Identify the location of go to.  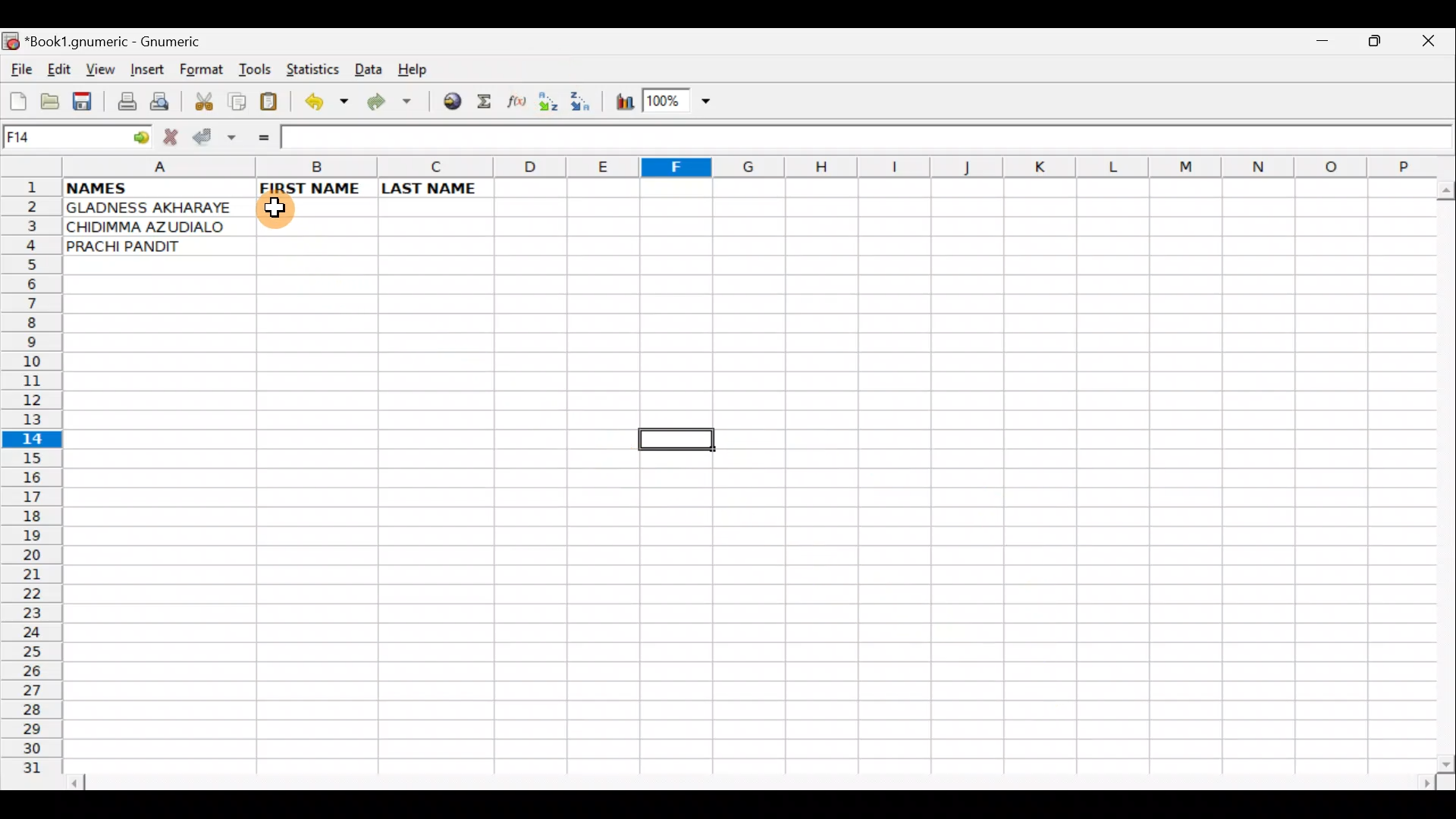
(140, 135).